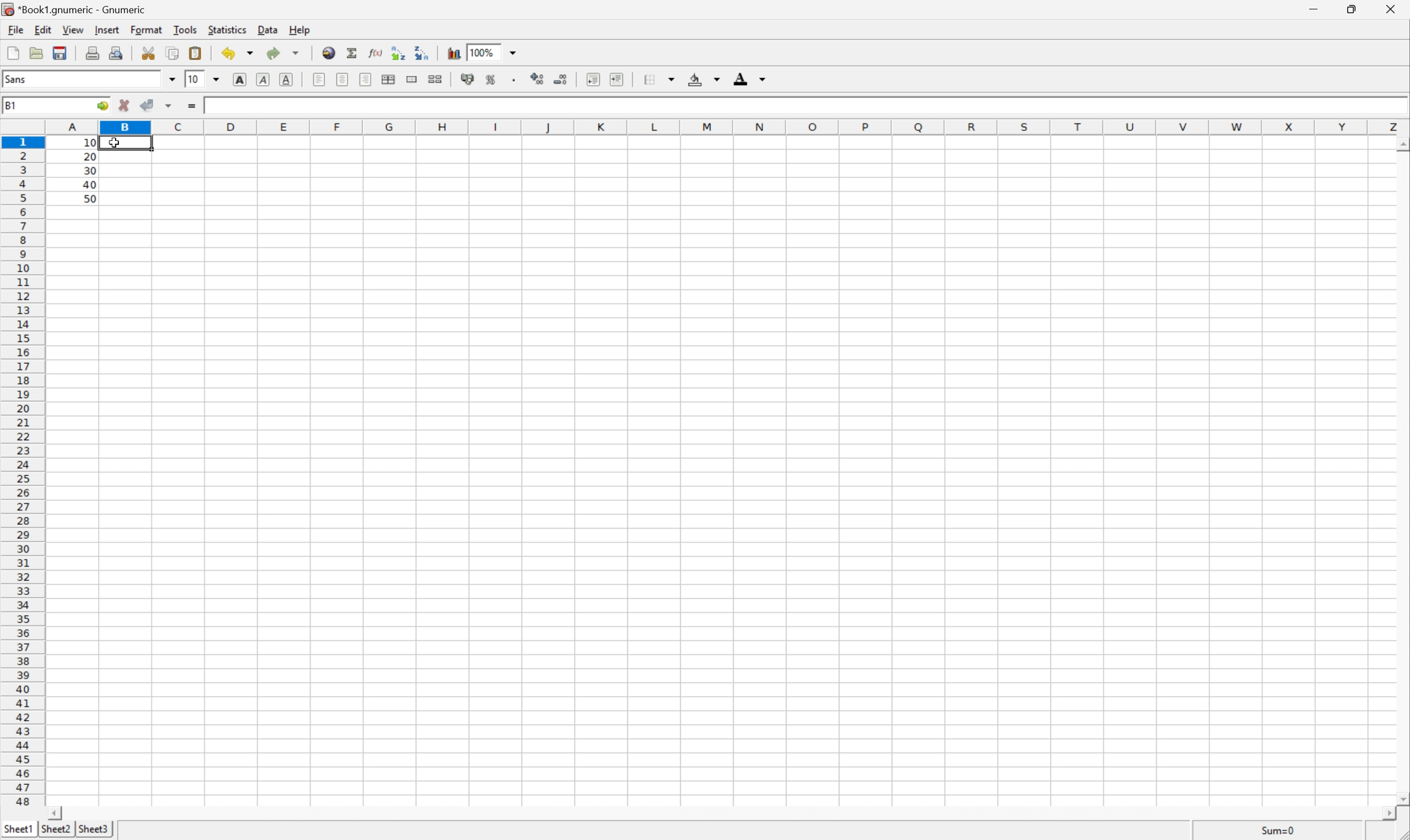  I want to click on Scroll Down, so click(1401, 798).